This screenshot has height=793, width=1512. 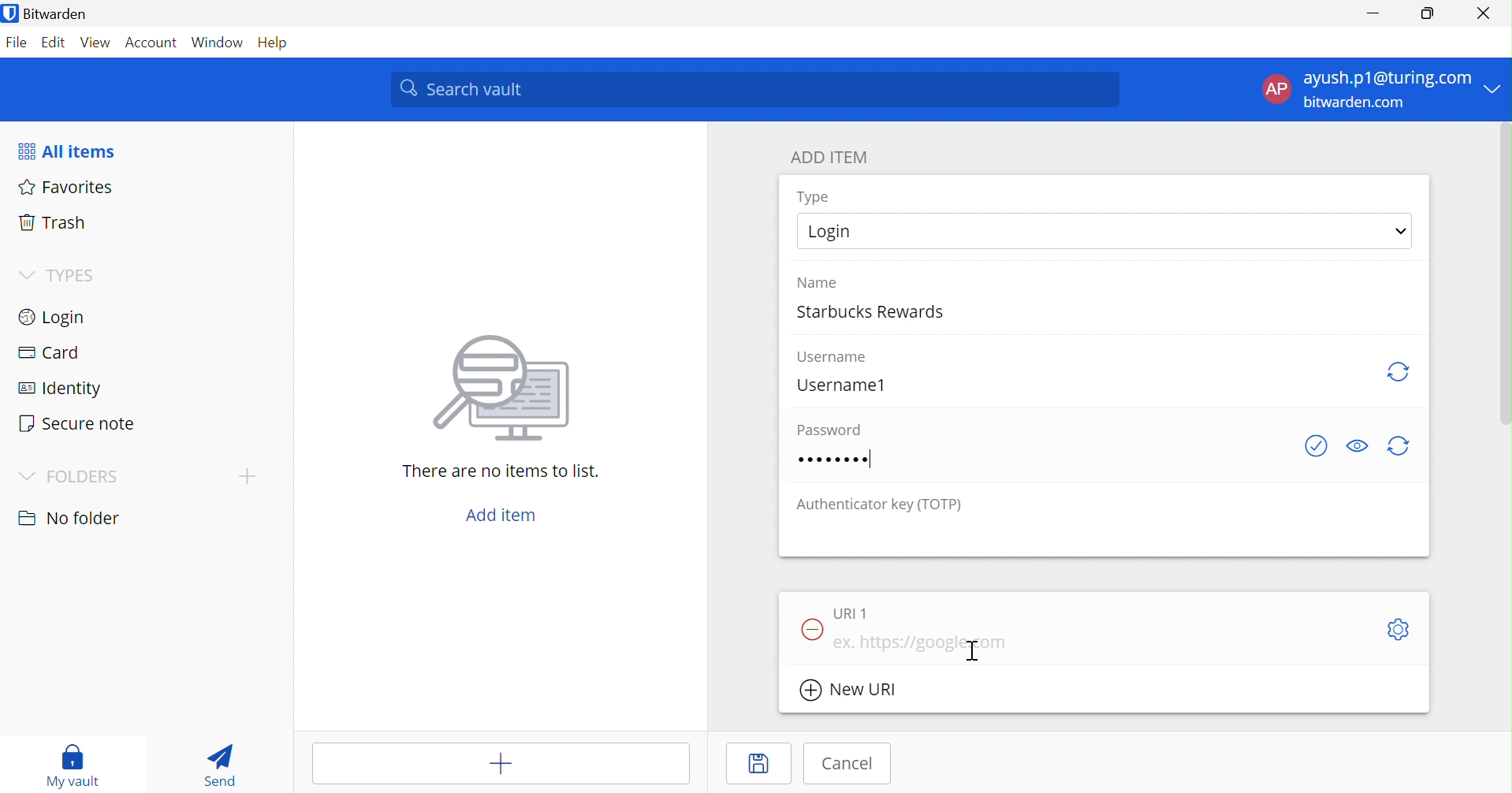 What do you see at coordinates (809, 631) in the screenshot?
I see `Remove` at bounding box center [809, 631].